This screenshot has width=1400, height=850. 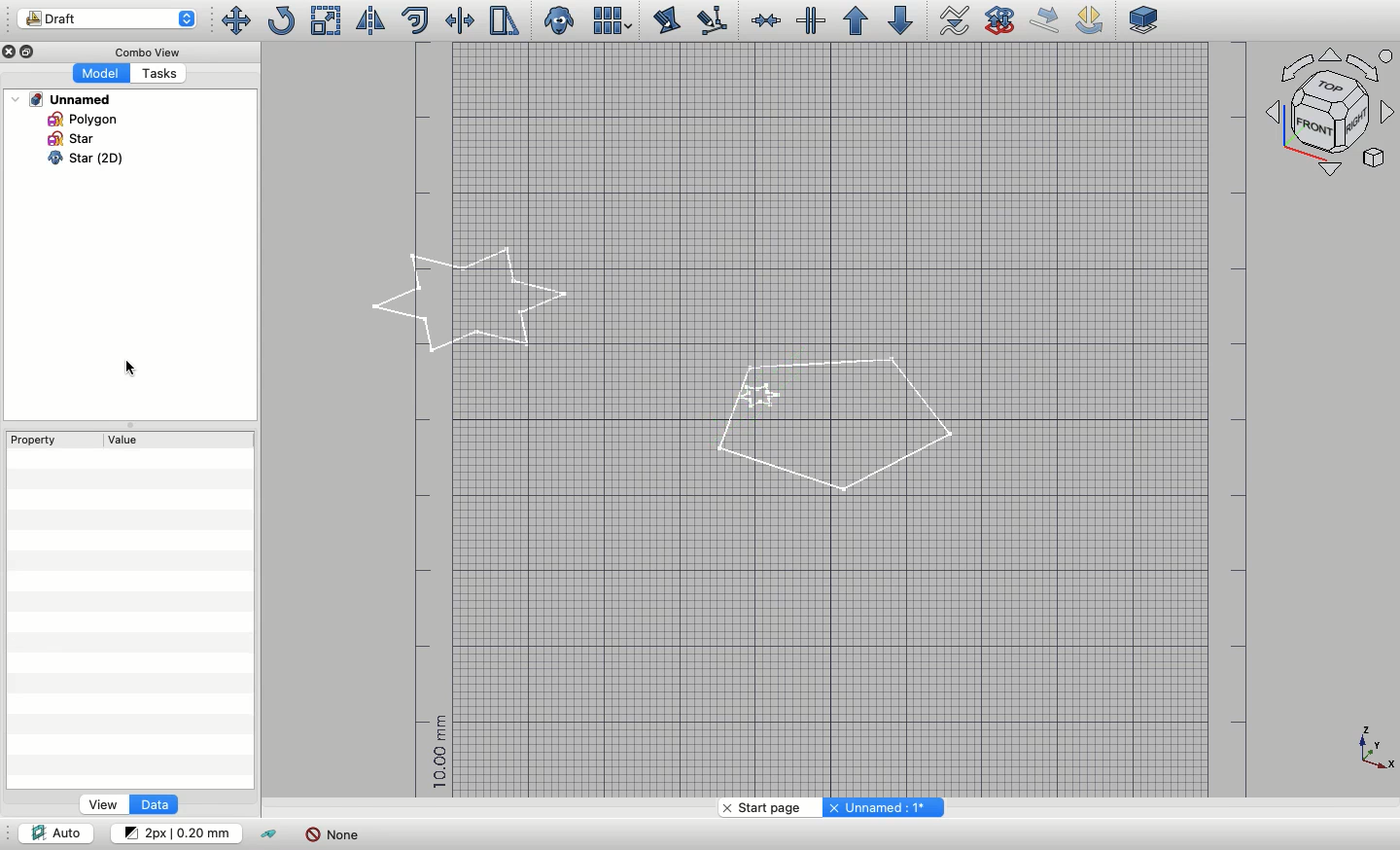 What do you see at coordinates (144, 51) in the screenshot?
I see `Combo view` at bounding box center [144, 51].